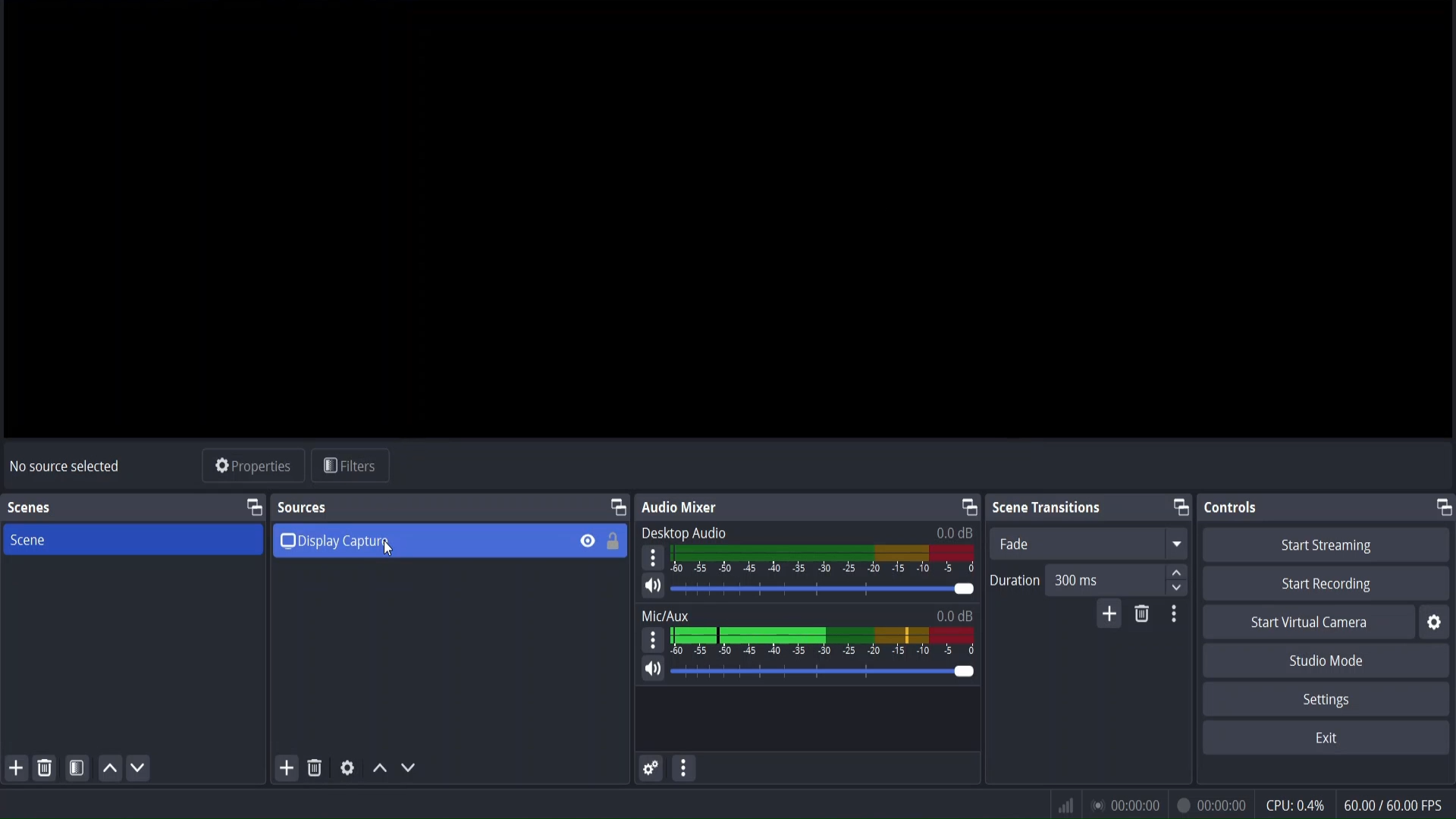  What do you see at coordinates (1234, 507) in the screenshot?
I see `controls` at bounding box center [1234, 507].